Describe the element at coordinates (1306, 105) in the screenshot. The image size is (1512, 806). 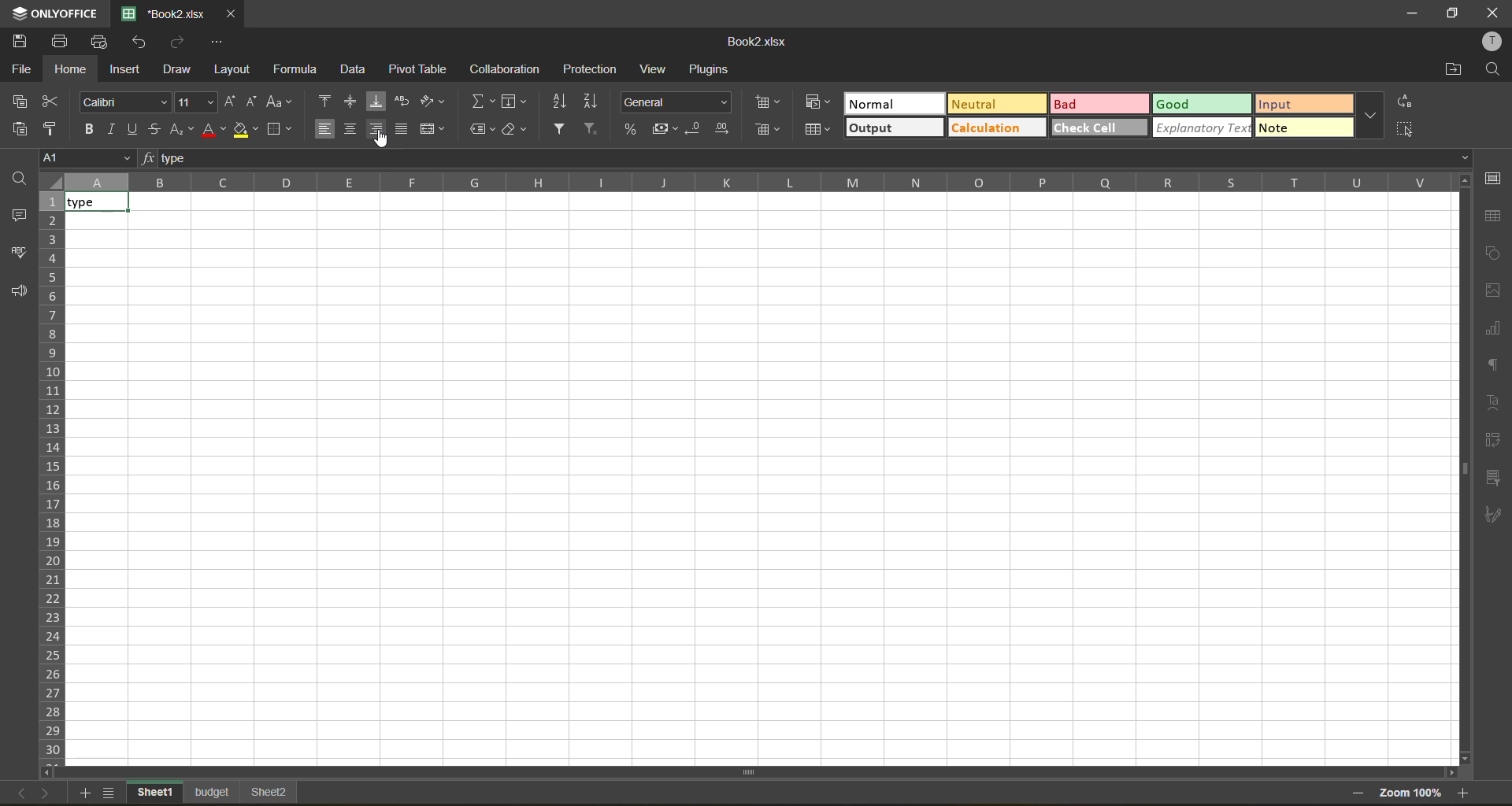
I see `input` at that location.